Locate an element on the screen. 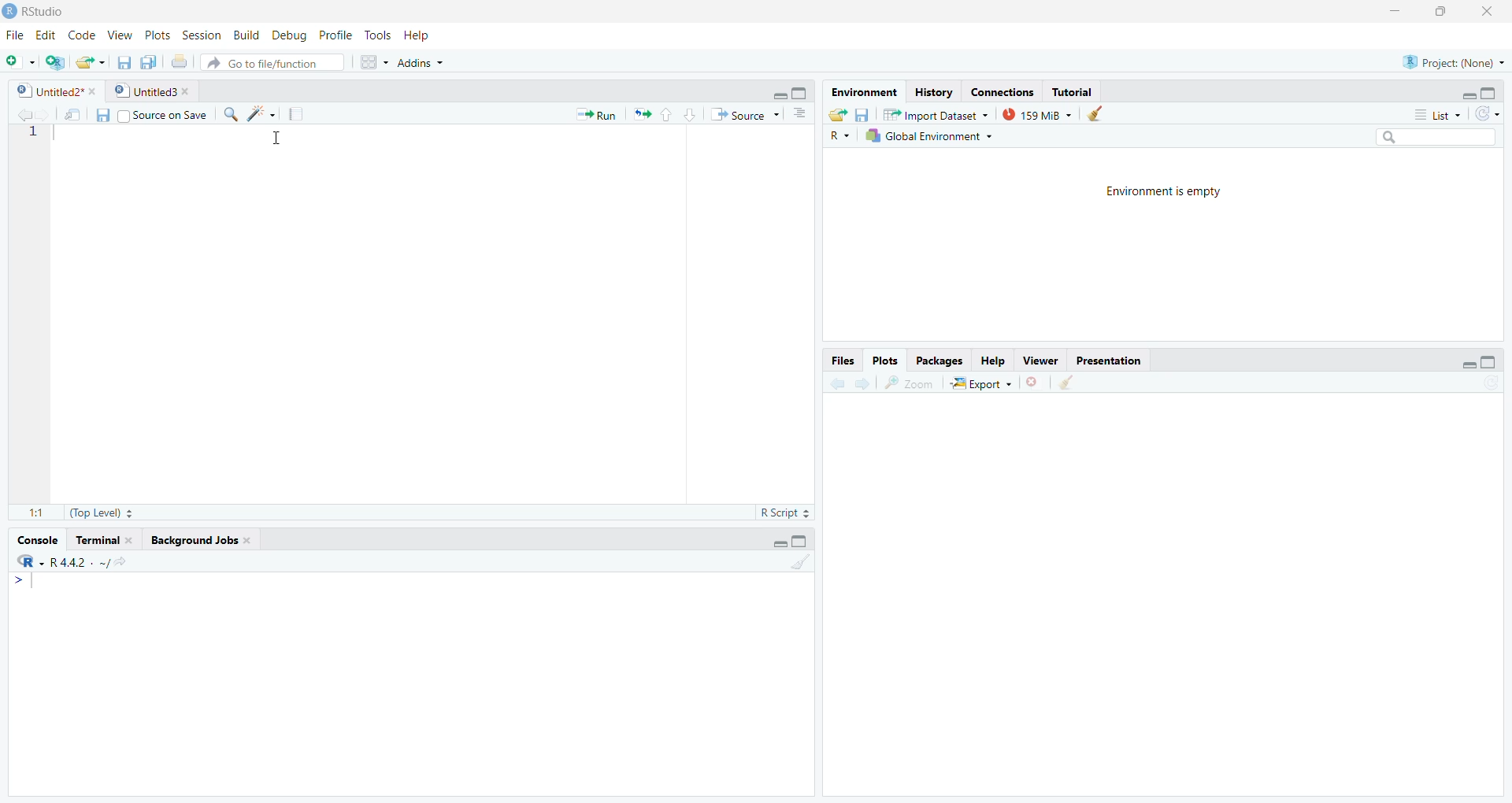  Minimize is located at coordinates (1459, 363).